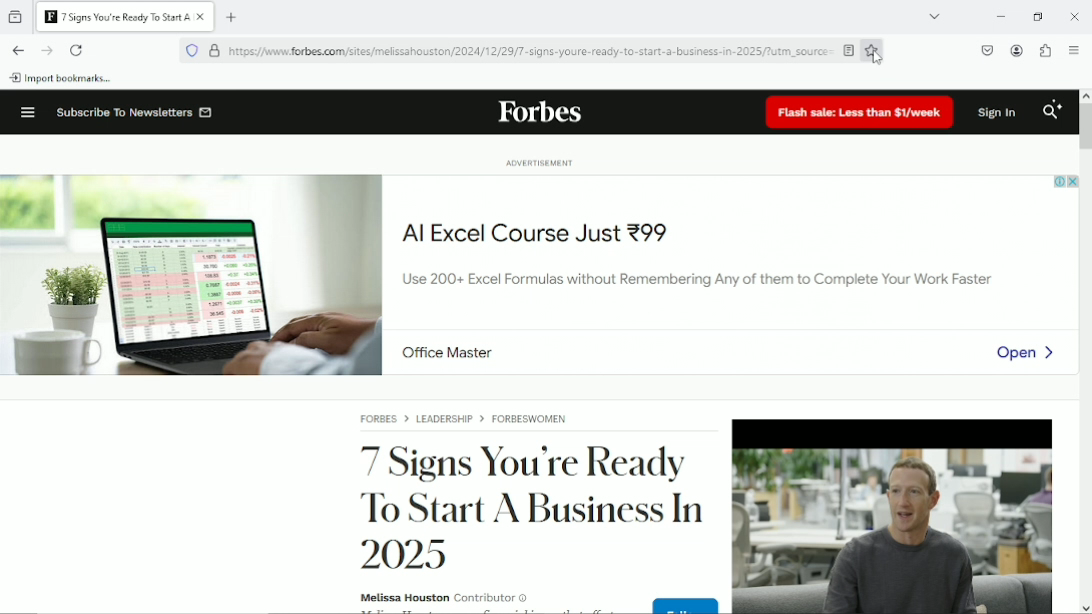  What do you see at coordinates (232, 16) in the screenshot?
I see `new tab` at bounding box center [232, 16].